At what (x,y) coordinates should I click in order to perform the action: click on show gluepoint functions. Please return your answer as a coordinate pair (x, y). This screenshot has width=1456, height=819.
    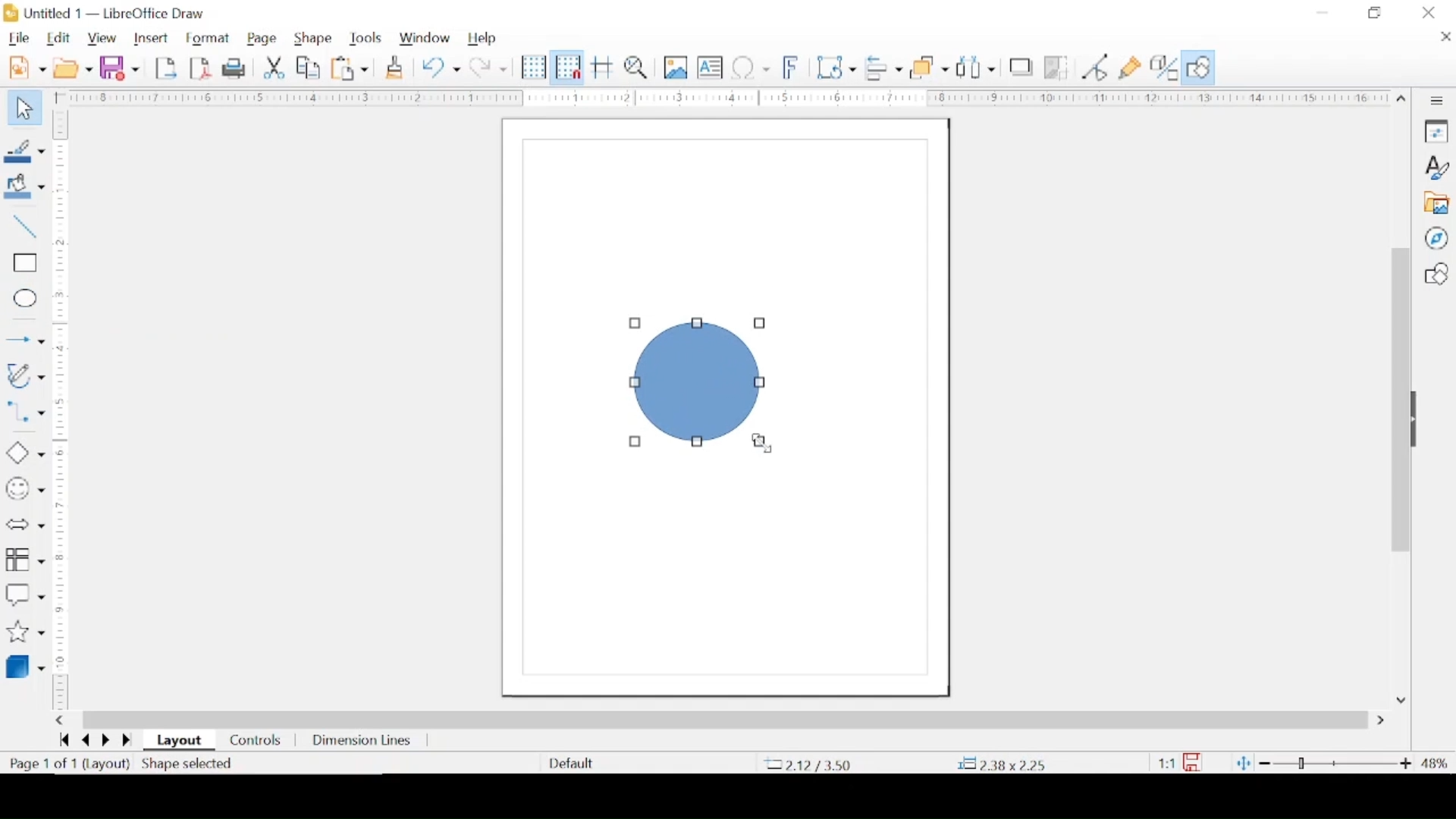
    Looking at the image, I should click on (1131, 67).